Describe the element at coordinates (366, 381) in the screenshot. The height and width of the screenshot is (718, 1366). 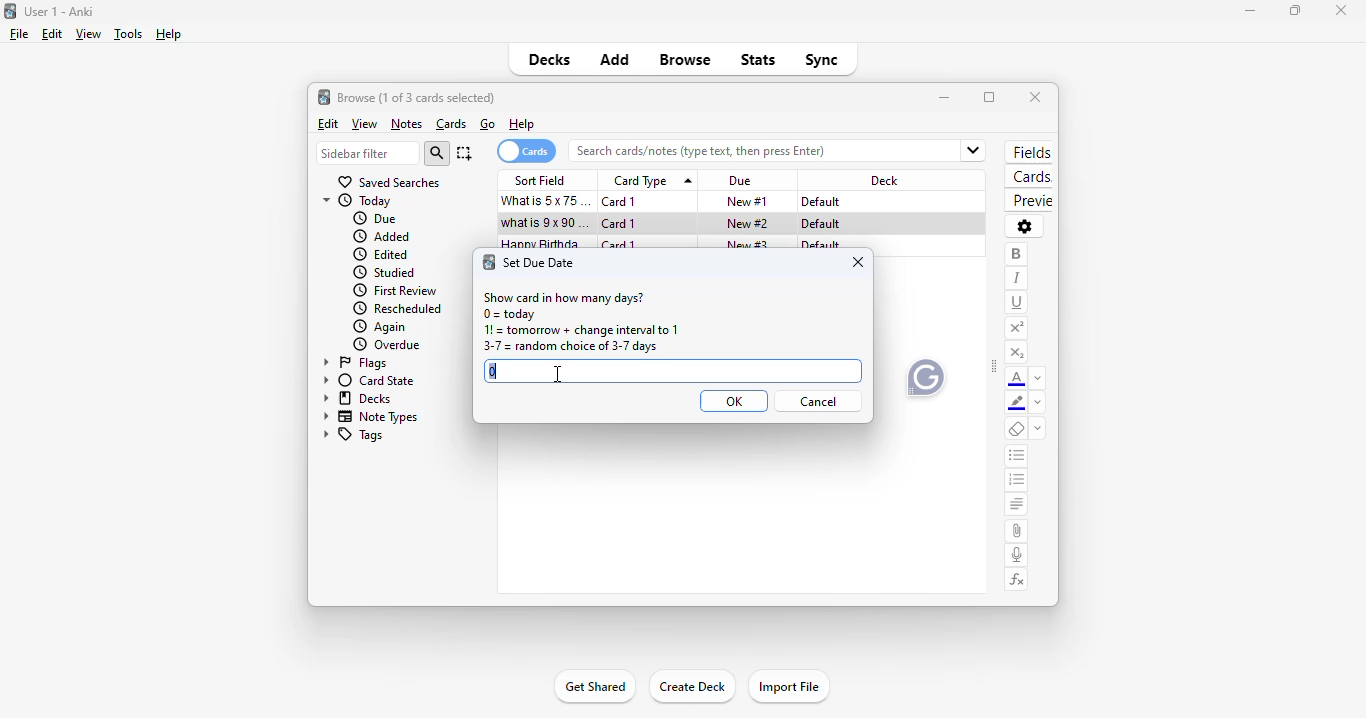
I see `card state` at that location.